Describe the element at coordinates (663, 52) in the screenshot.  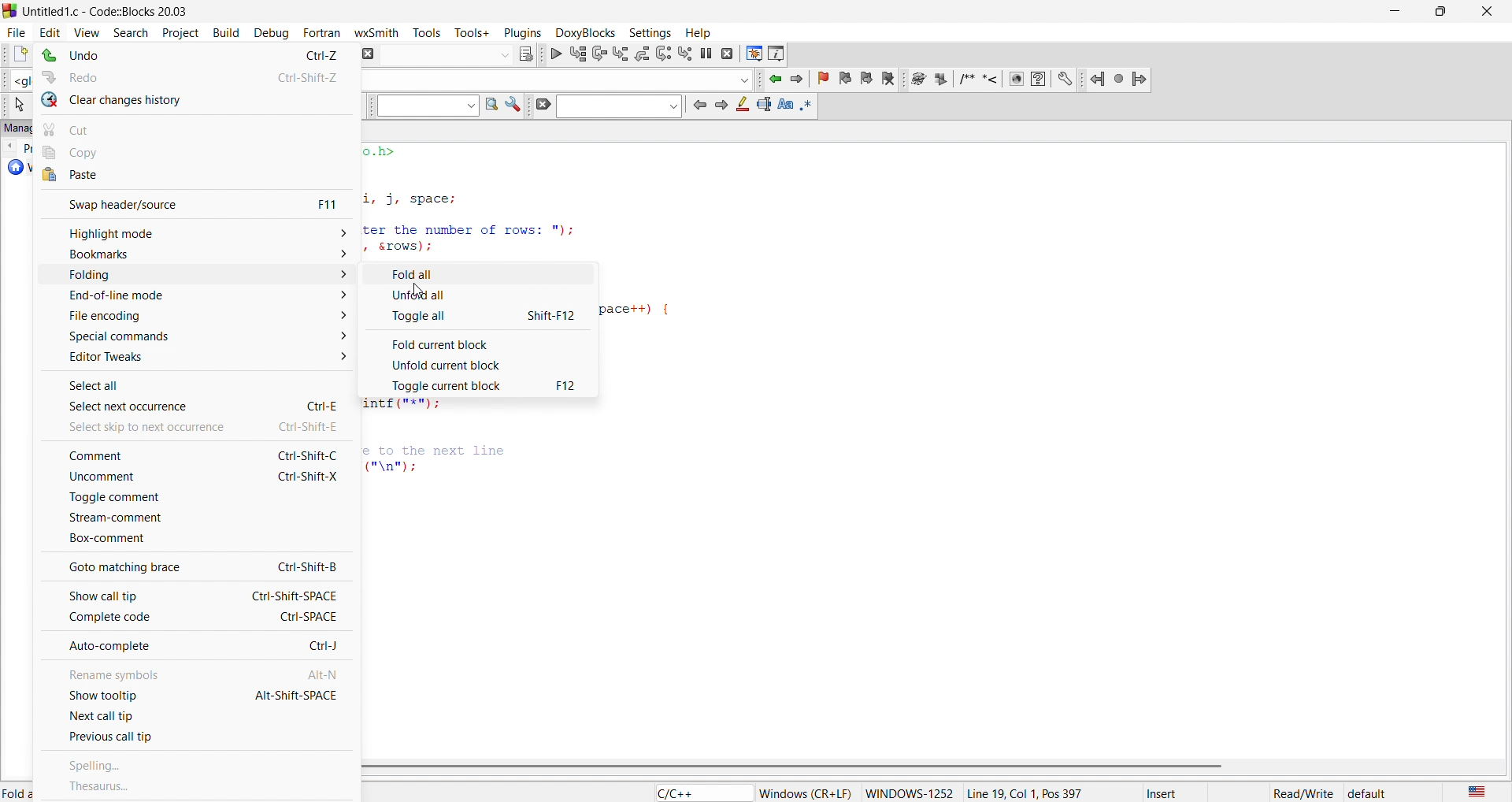
I see `next instruction` at that location.